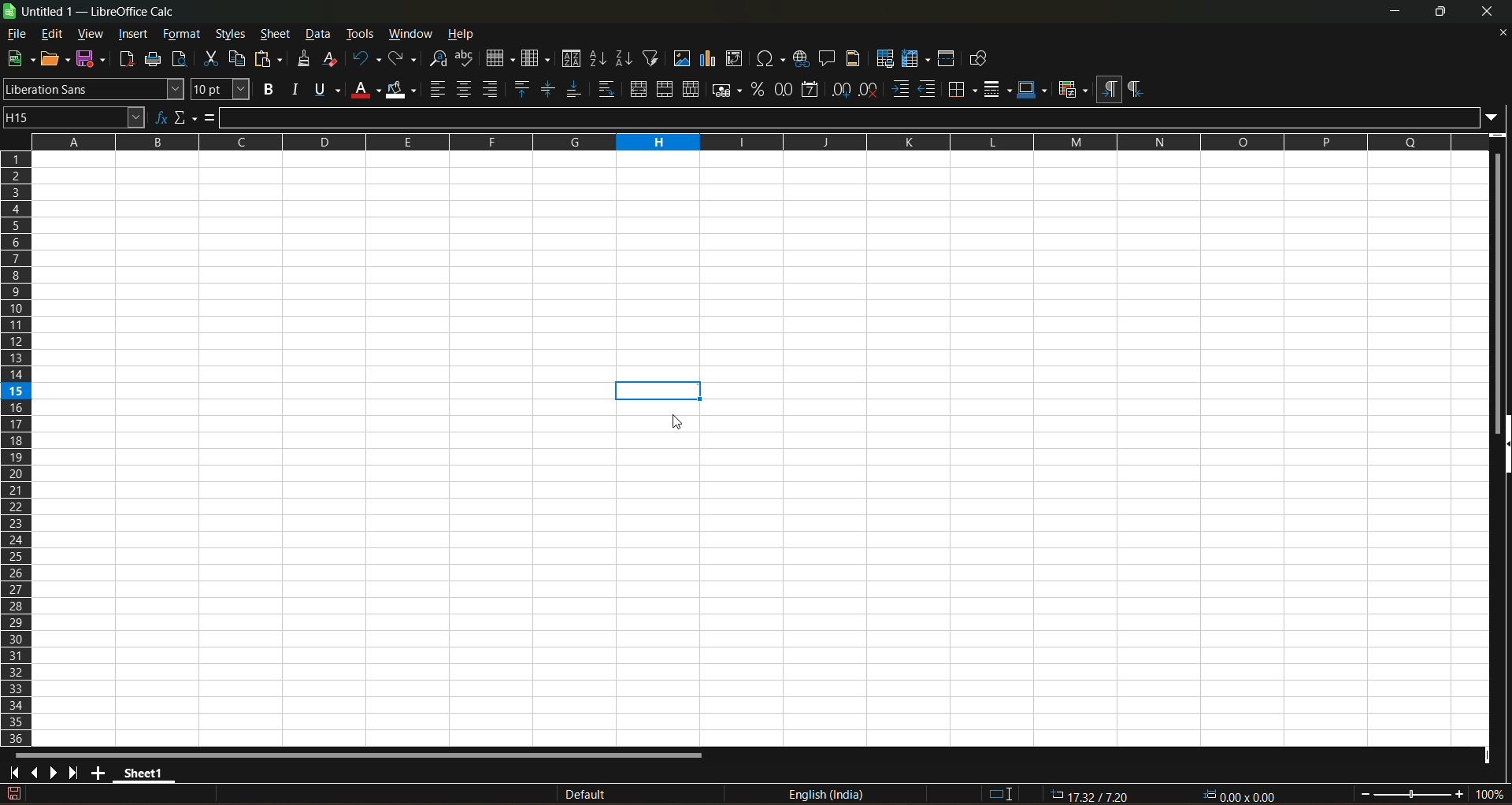 The height and width of the screenshot is (805, 1512). What do you see at coordinates (757, 89) in the screenshot?
I see `format as percent` at bounding box center [757, 89].